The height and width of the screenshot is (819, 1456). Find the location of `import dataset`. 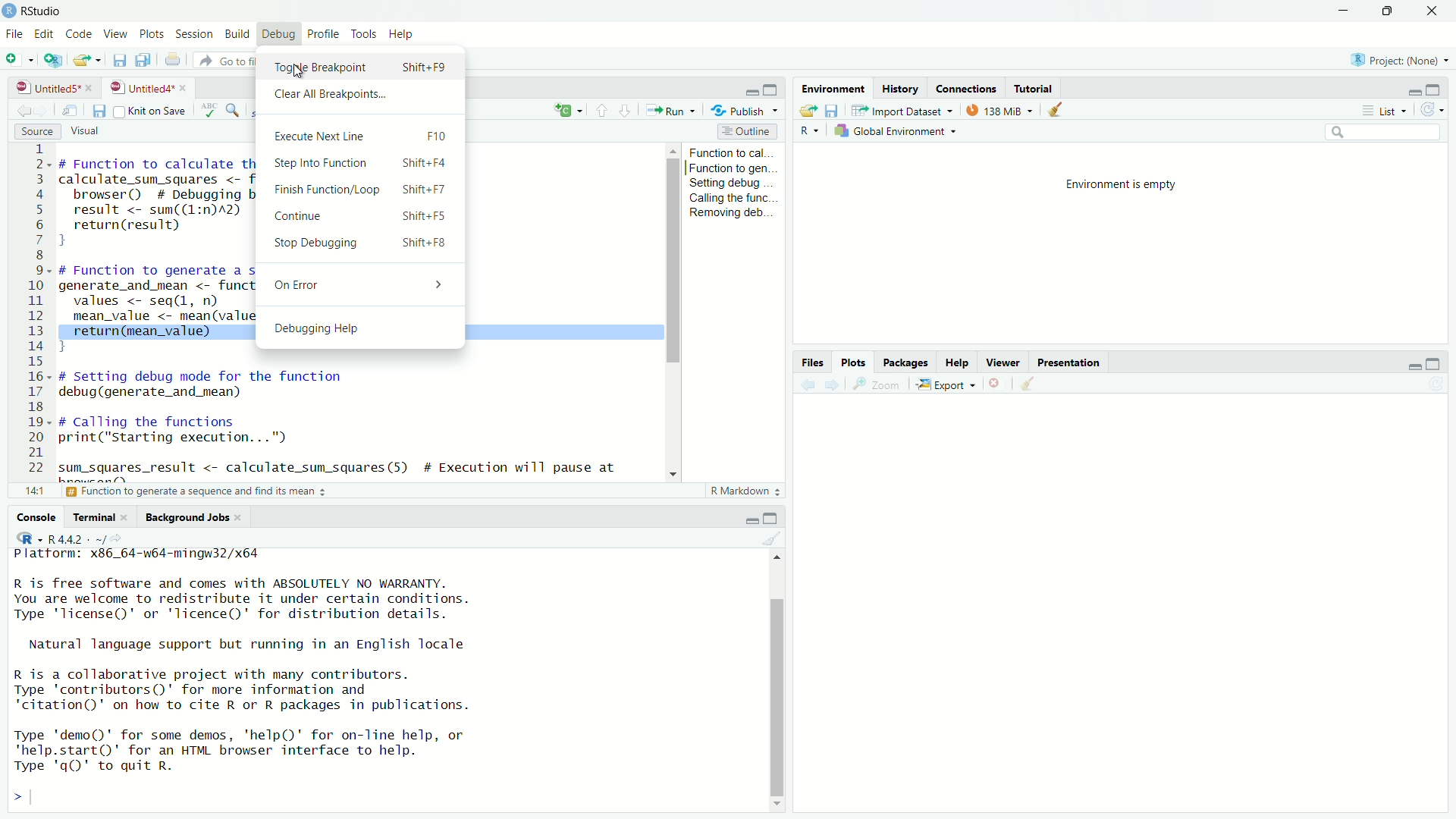

import dataset is located at coordinates (907, 111).